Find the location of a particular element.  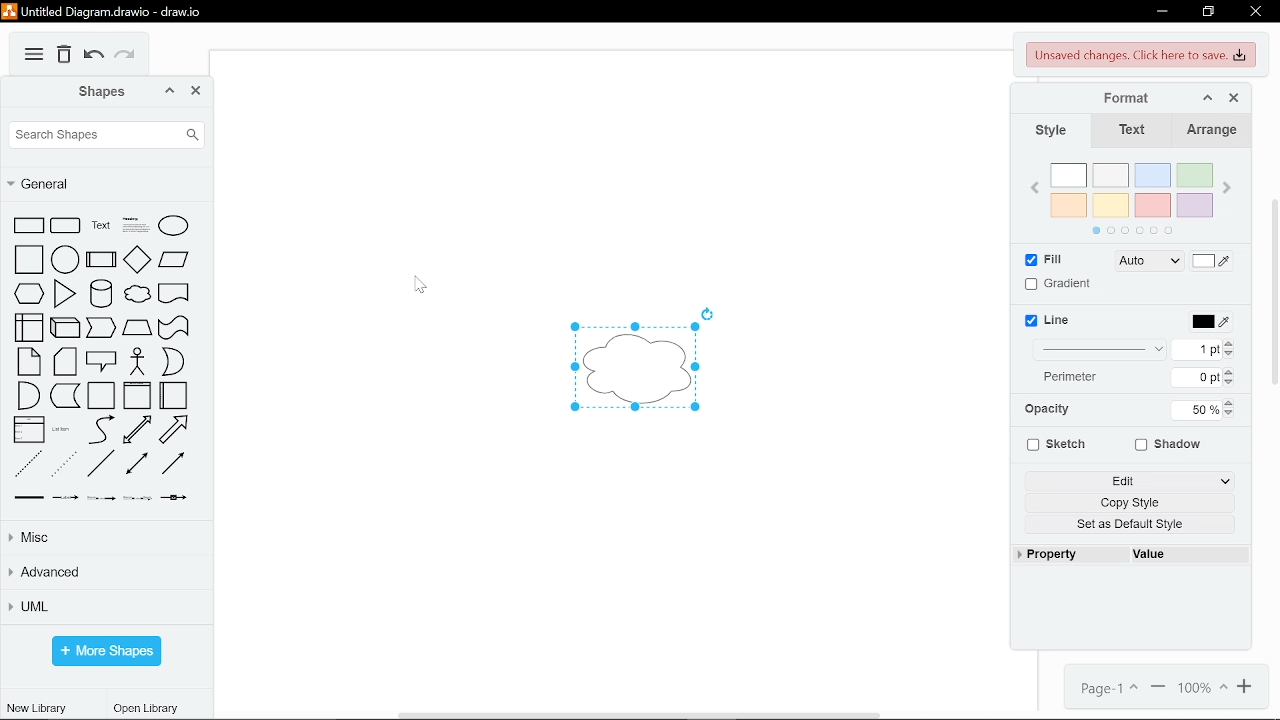

format is located at coordinates (1122, 98).